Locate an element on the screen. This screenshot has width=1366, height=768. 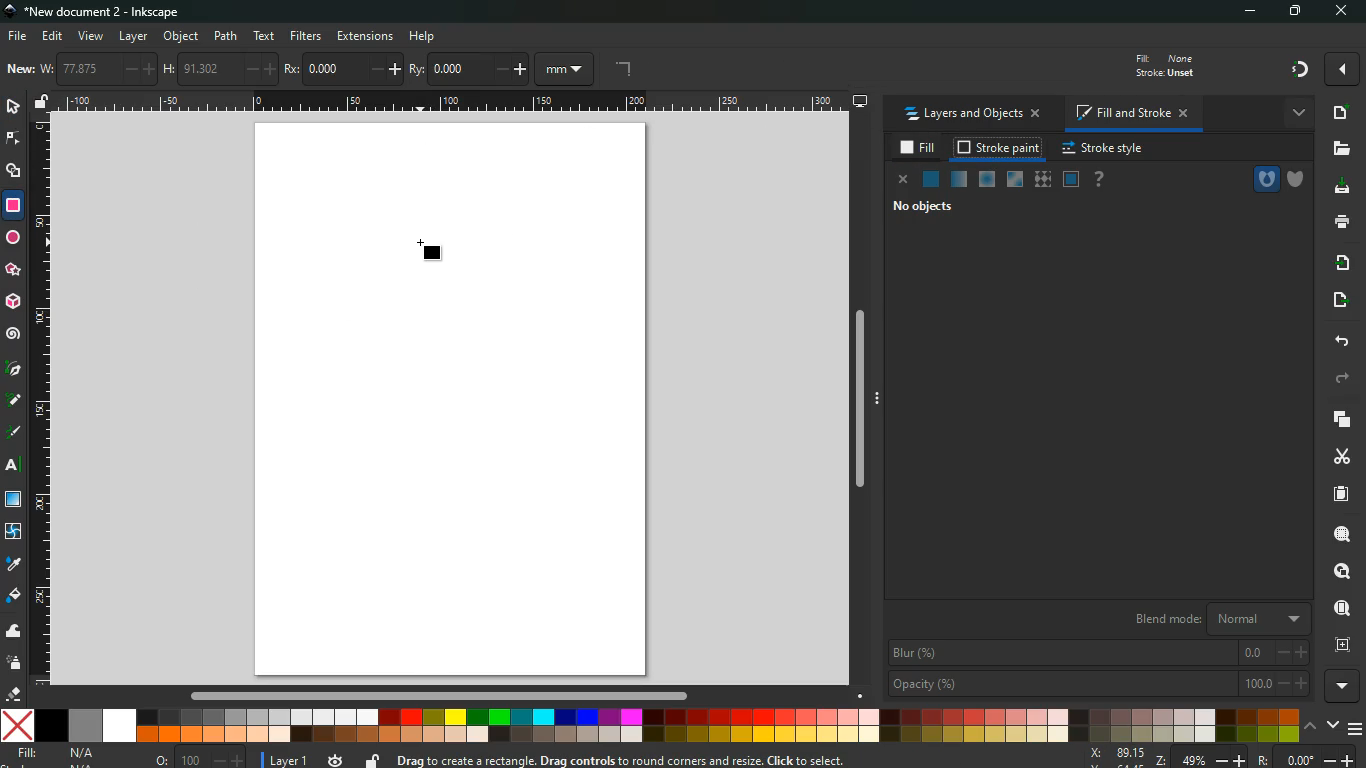
filters is located at coordinates (308, 36).